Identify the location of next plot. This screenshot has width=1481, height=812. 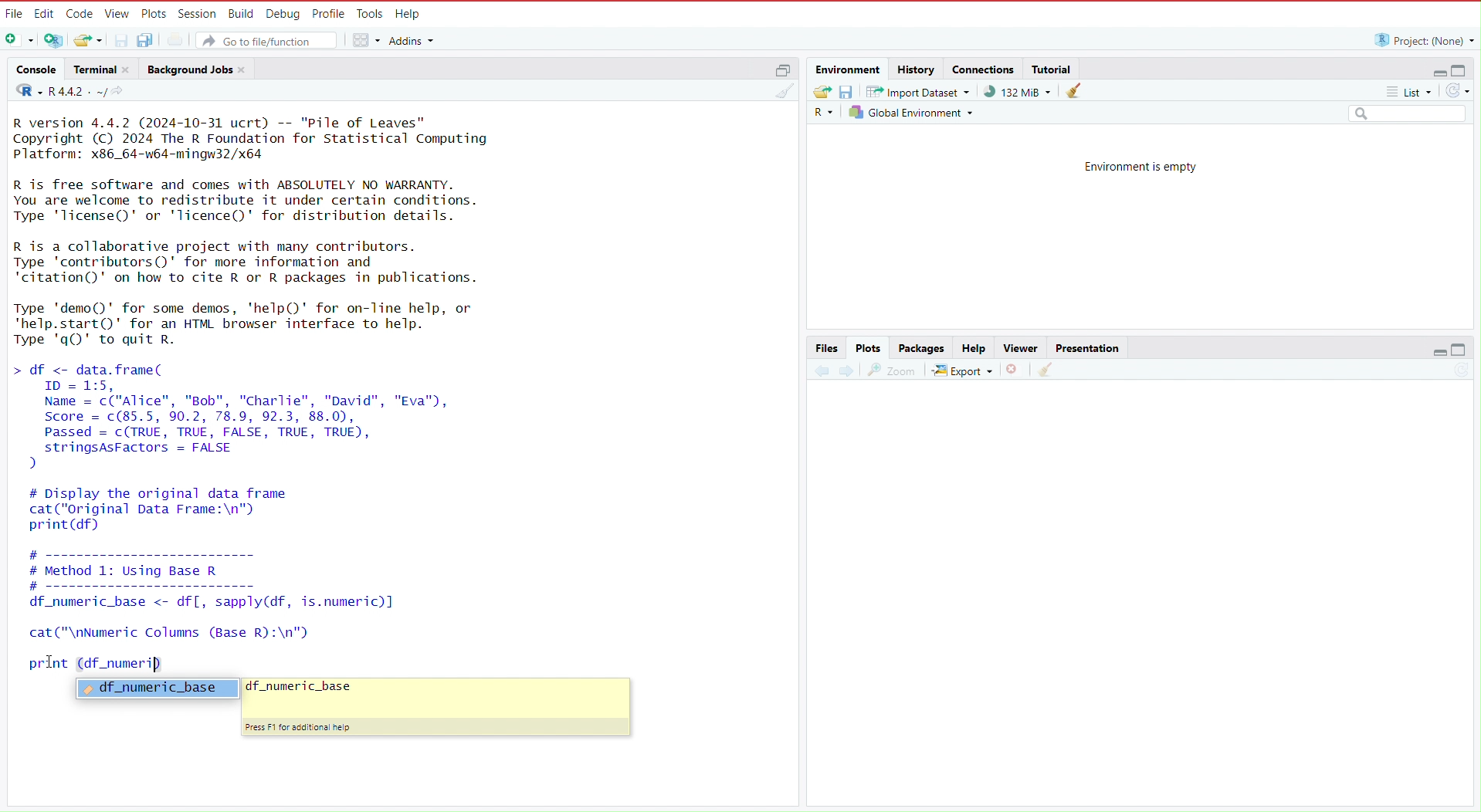
(843, 370).